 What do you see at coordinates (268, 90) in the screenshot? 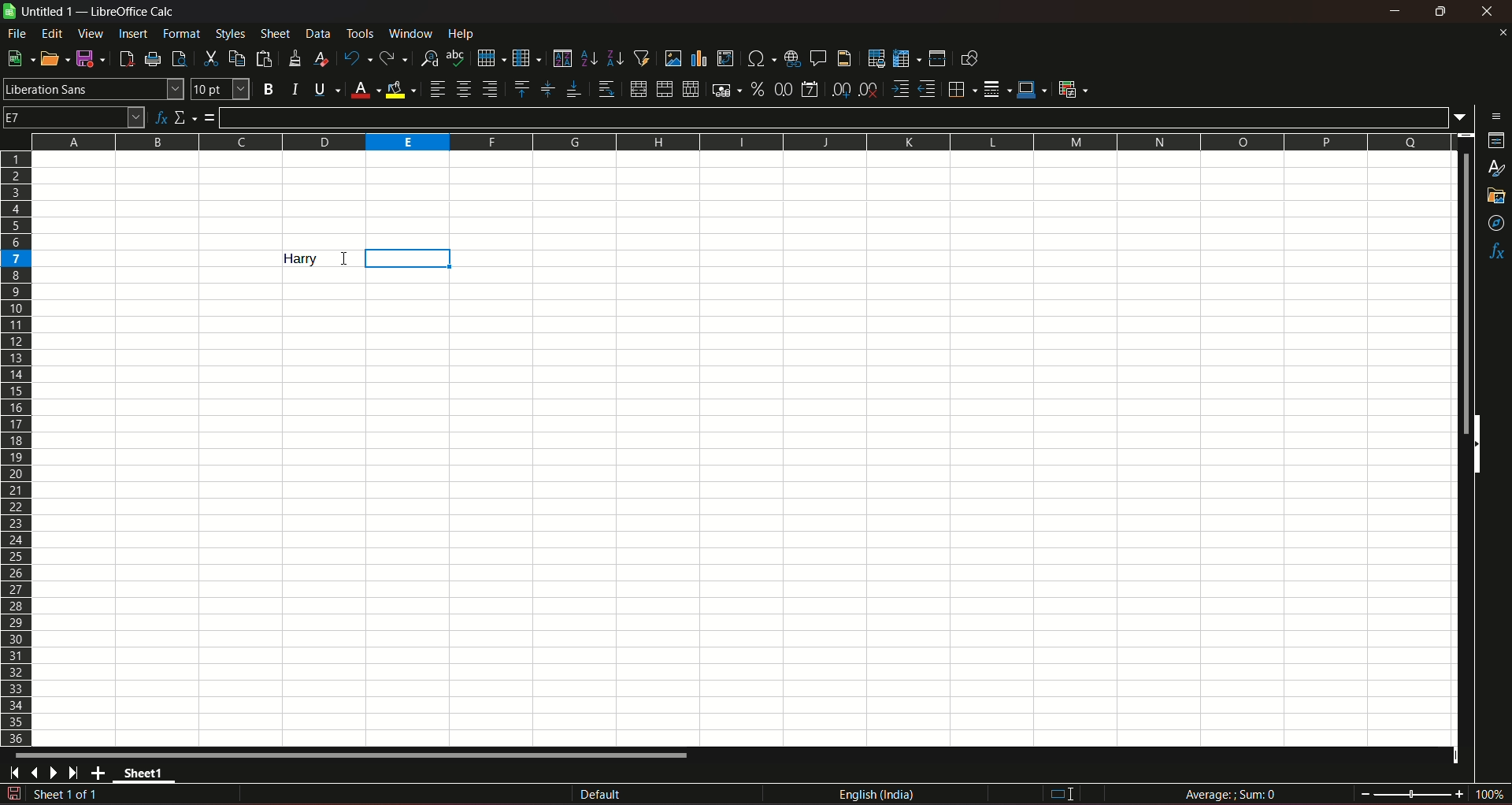
I see `bold` at bounding box center [268, 90].